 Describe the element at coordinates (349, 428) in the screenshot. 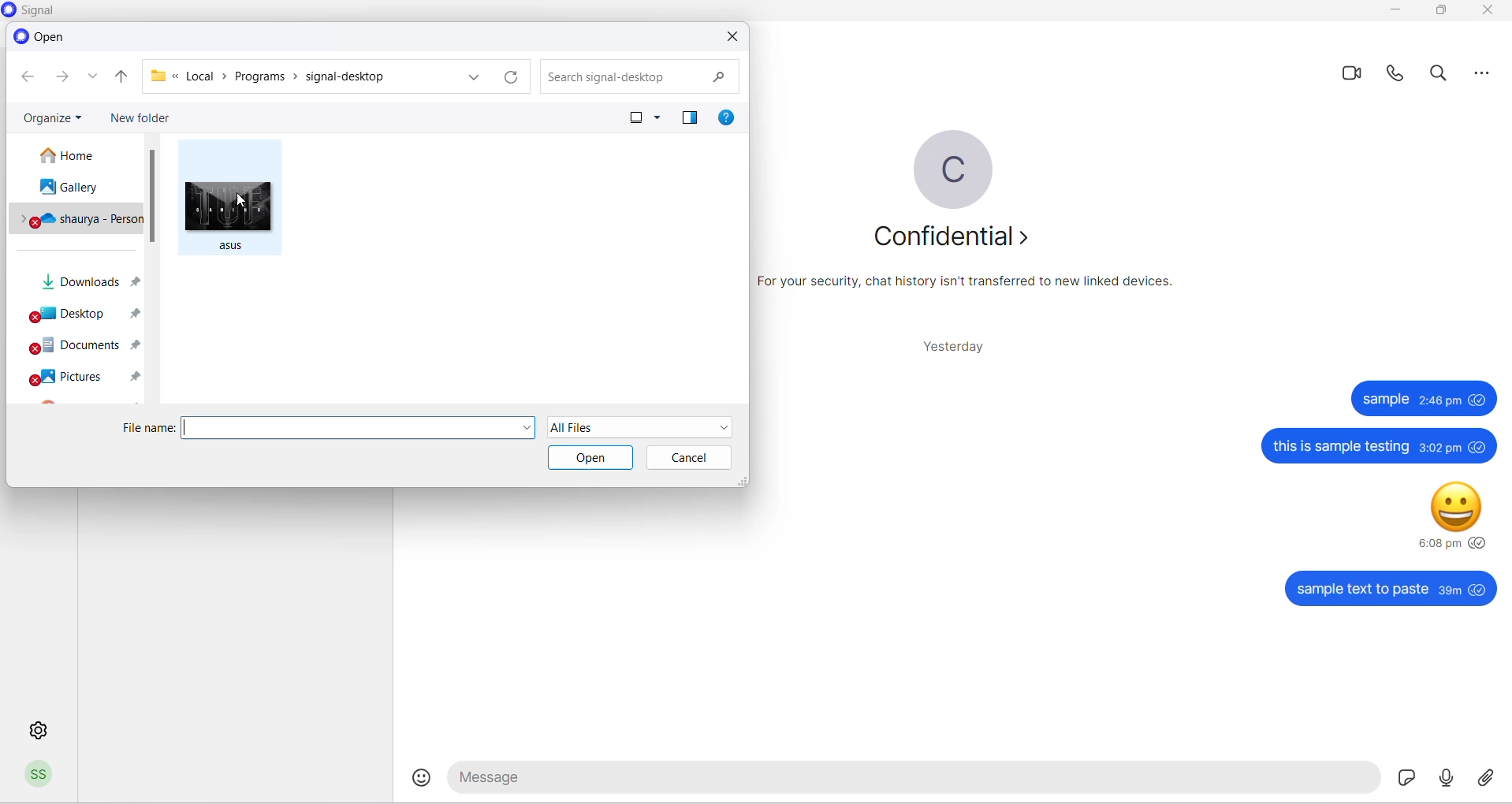

I see `file name text box` at that location.